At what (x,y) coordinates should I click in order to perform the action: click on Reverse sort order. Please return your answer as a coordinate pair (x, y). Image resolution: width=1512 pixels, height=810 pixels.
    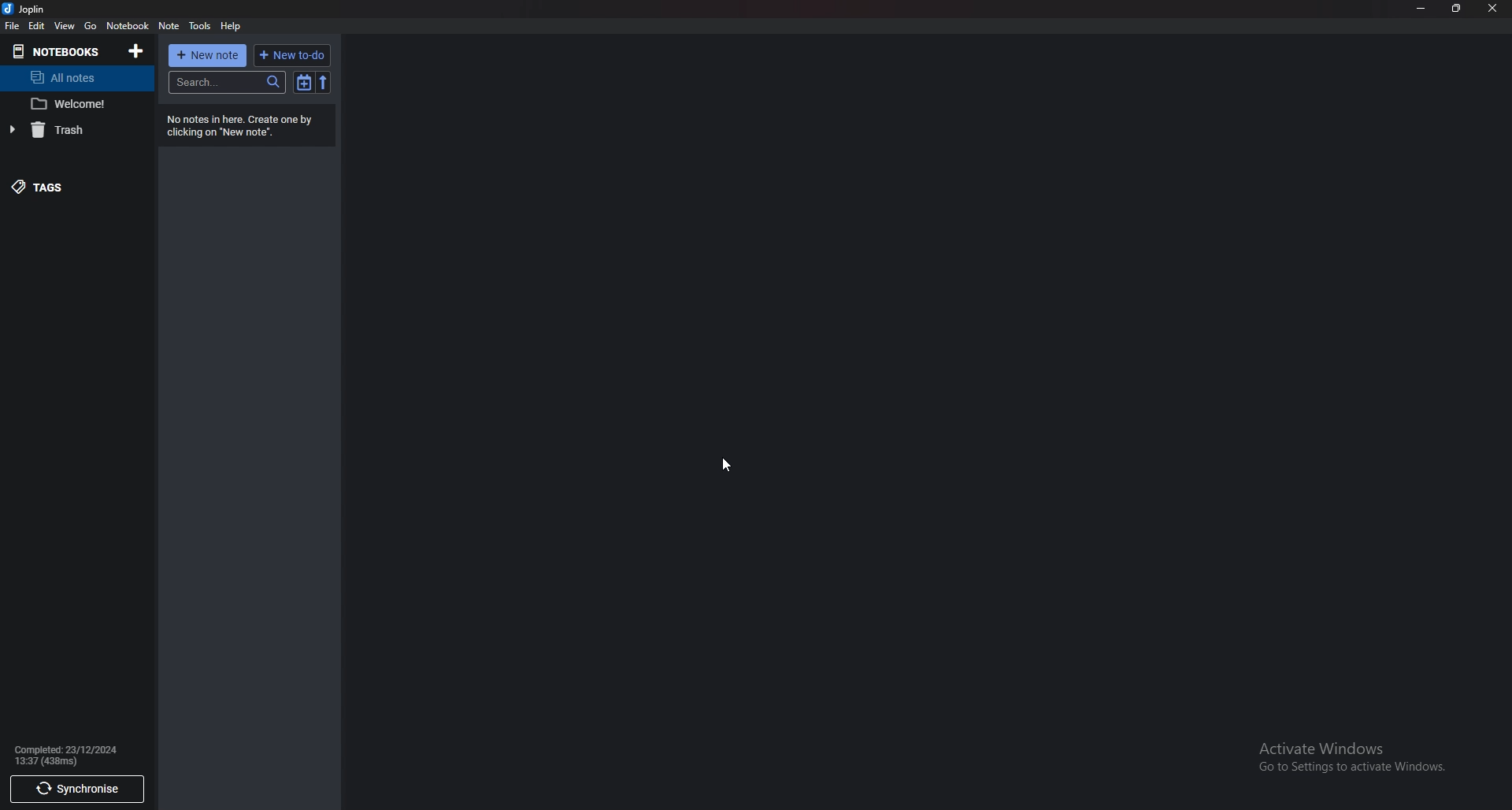
    Looking at the image, I should click on (326, 82).